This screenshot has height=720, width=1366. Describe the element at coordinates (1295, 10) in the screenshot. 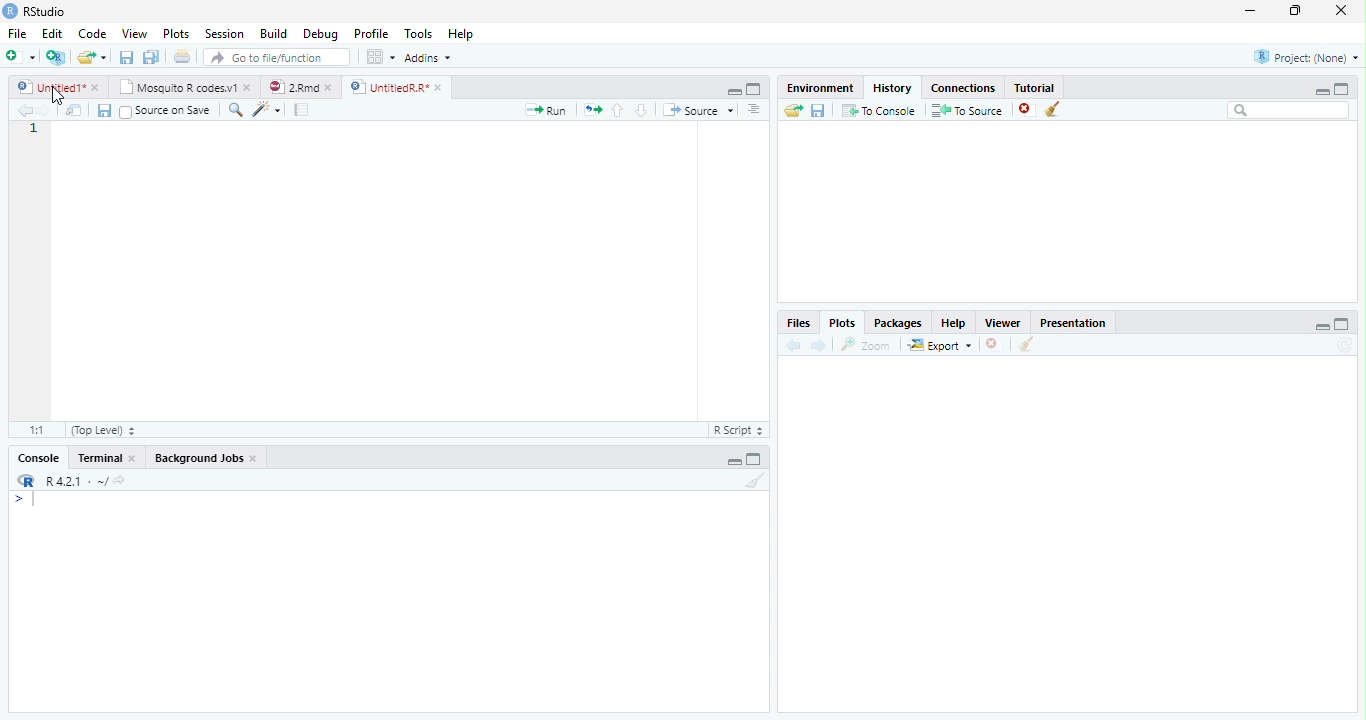

I see `restore` at that location.